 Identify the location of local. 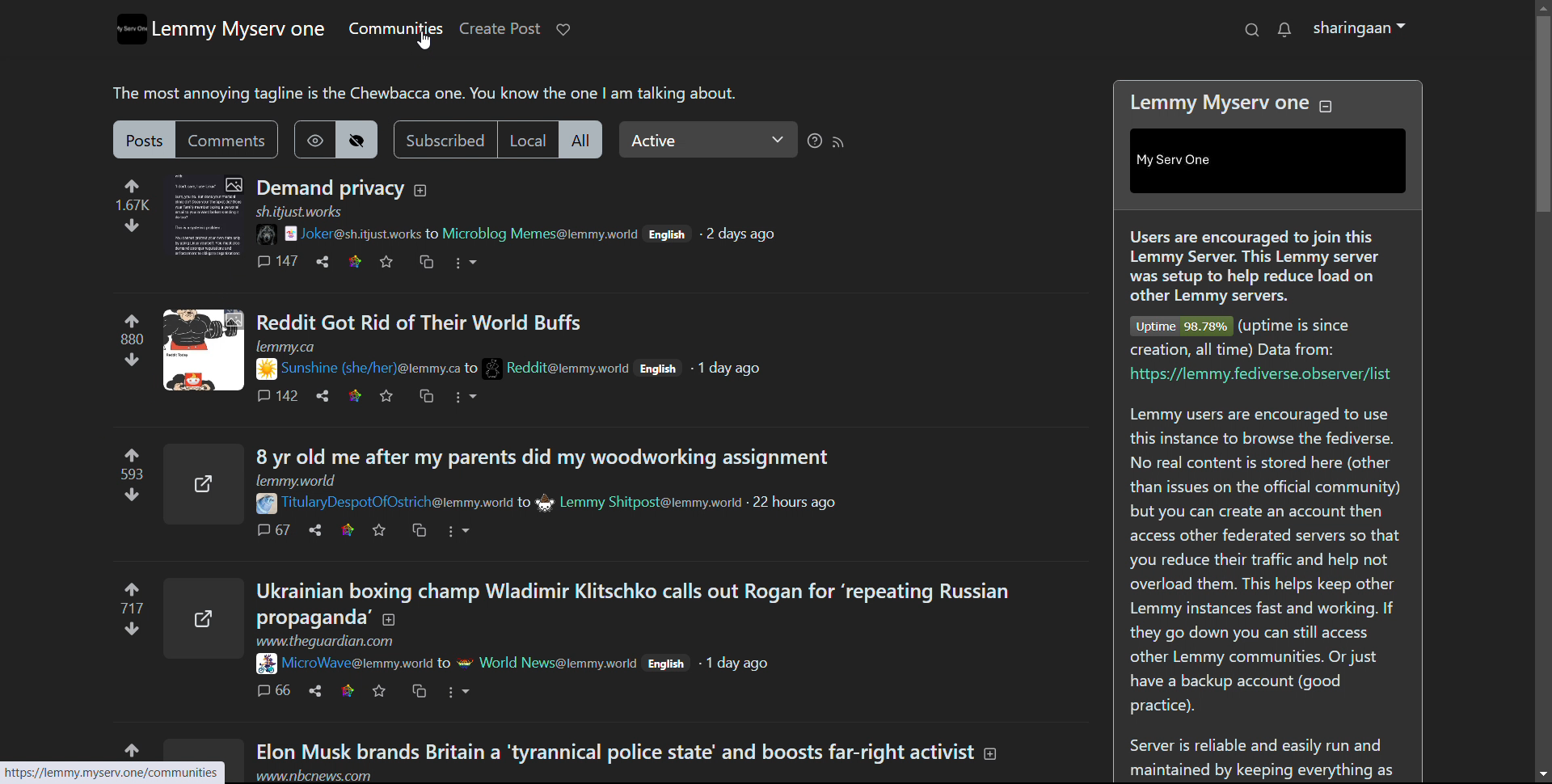
(527, 139).